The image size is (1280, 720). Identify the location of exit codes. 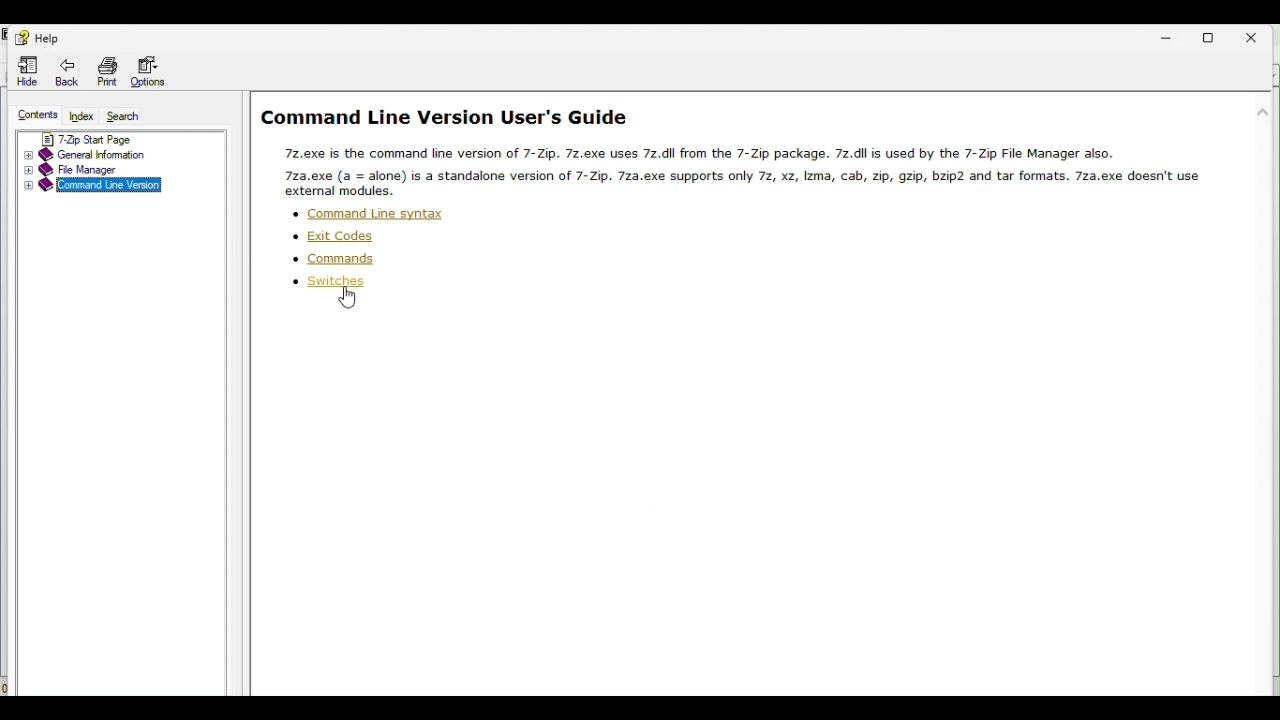
(333, 236).